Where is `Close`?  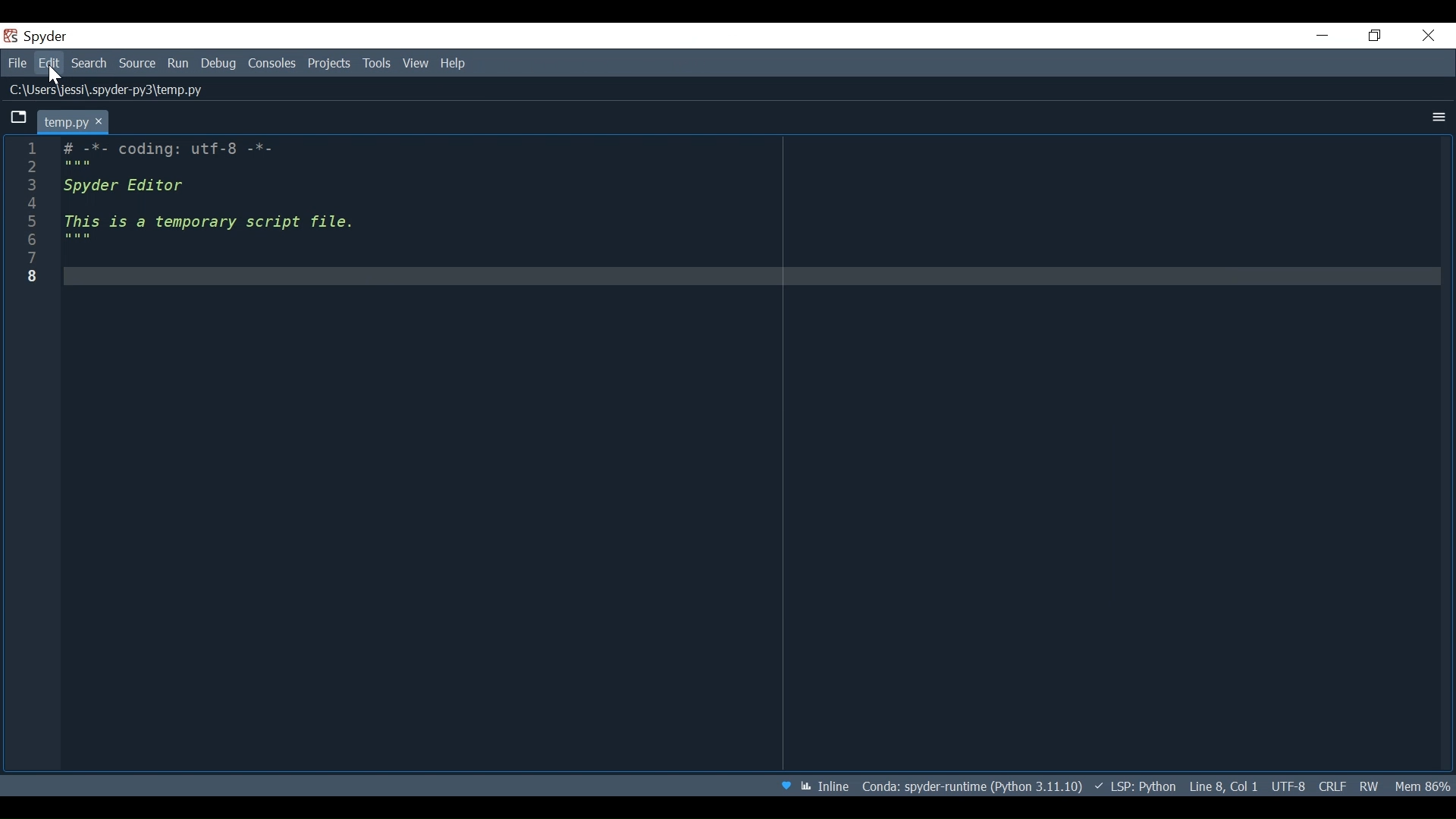 Close is located at coordinates (1430, 36).